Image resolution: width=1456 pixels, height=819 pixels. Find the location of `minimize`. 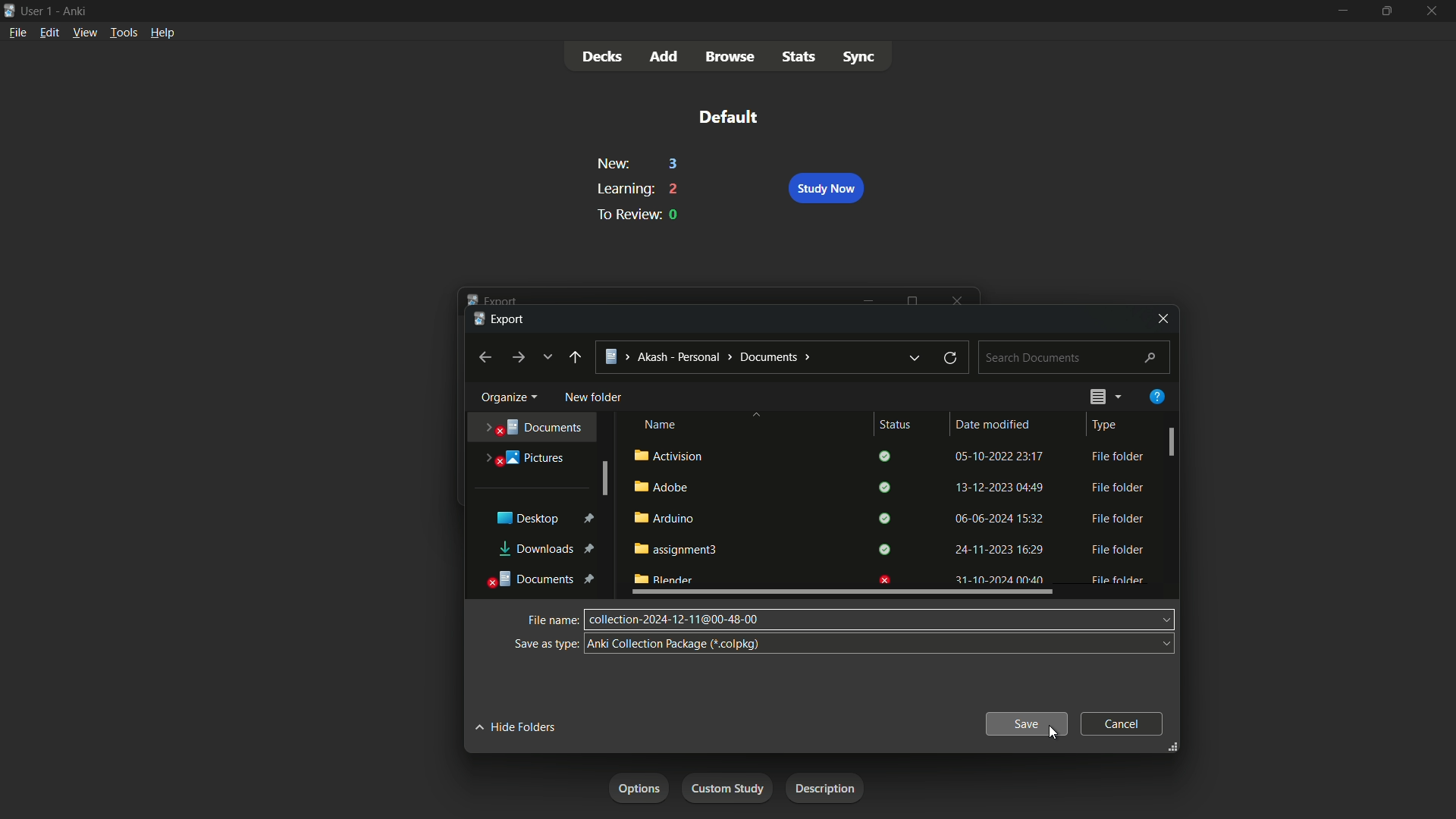

minimize is located at coordinates (869, 300).